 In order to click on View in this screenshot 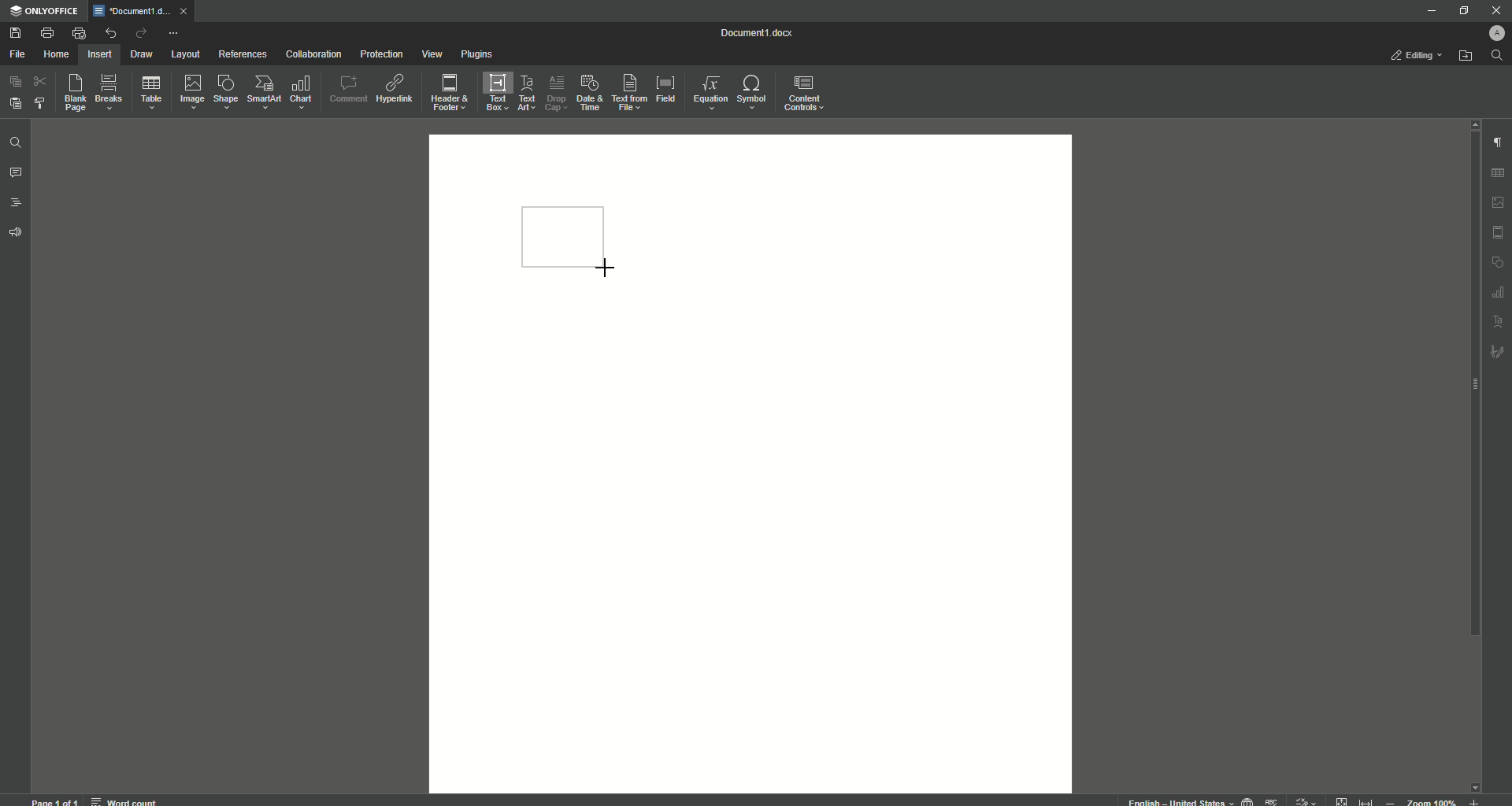, I will do `click(431, 55)`.